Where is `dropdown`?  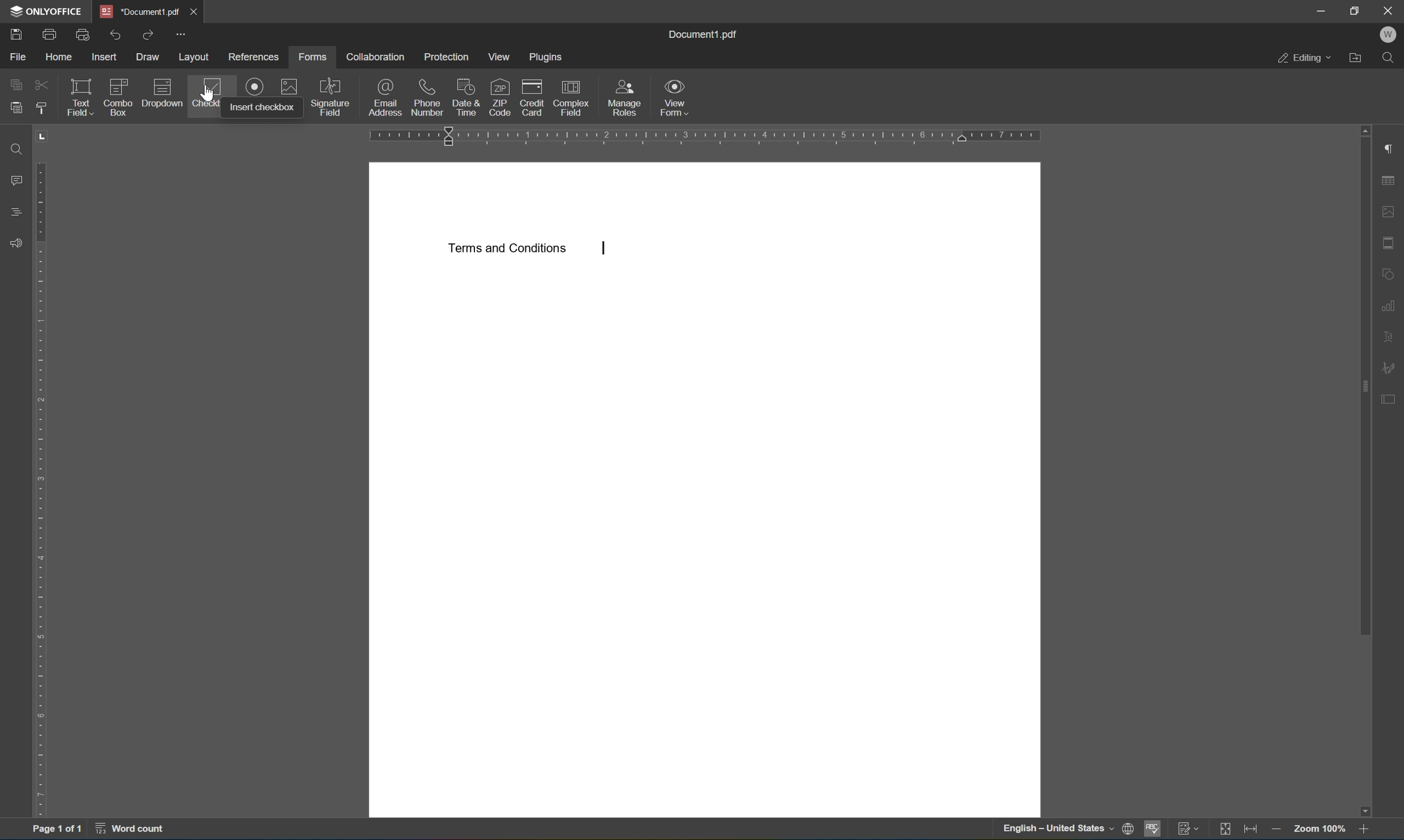
dropdown is located at coordinates (162, 92).